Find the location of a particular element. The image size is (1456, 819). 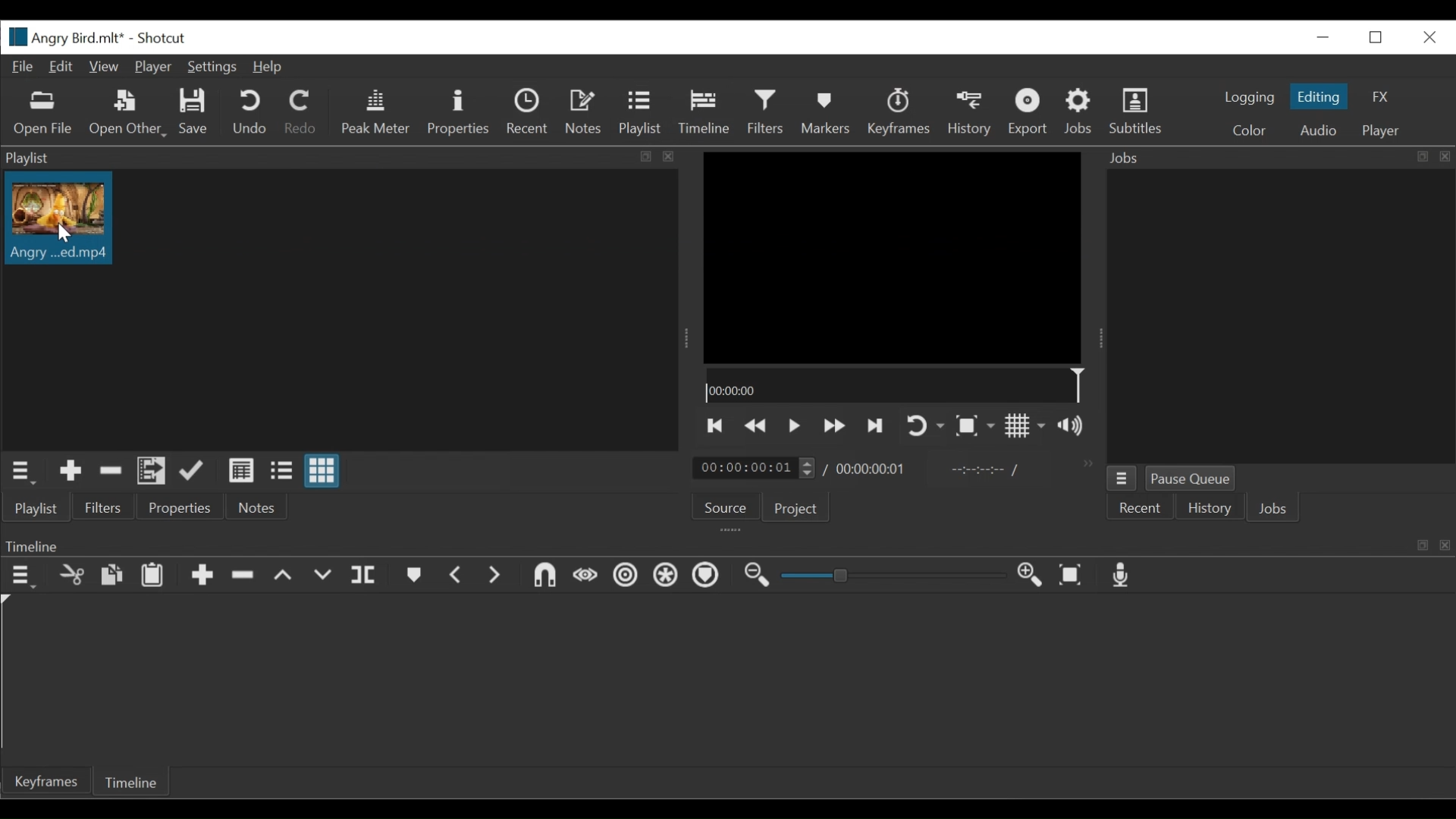

Skip to the next point is located at coordinates (877, 427).